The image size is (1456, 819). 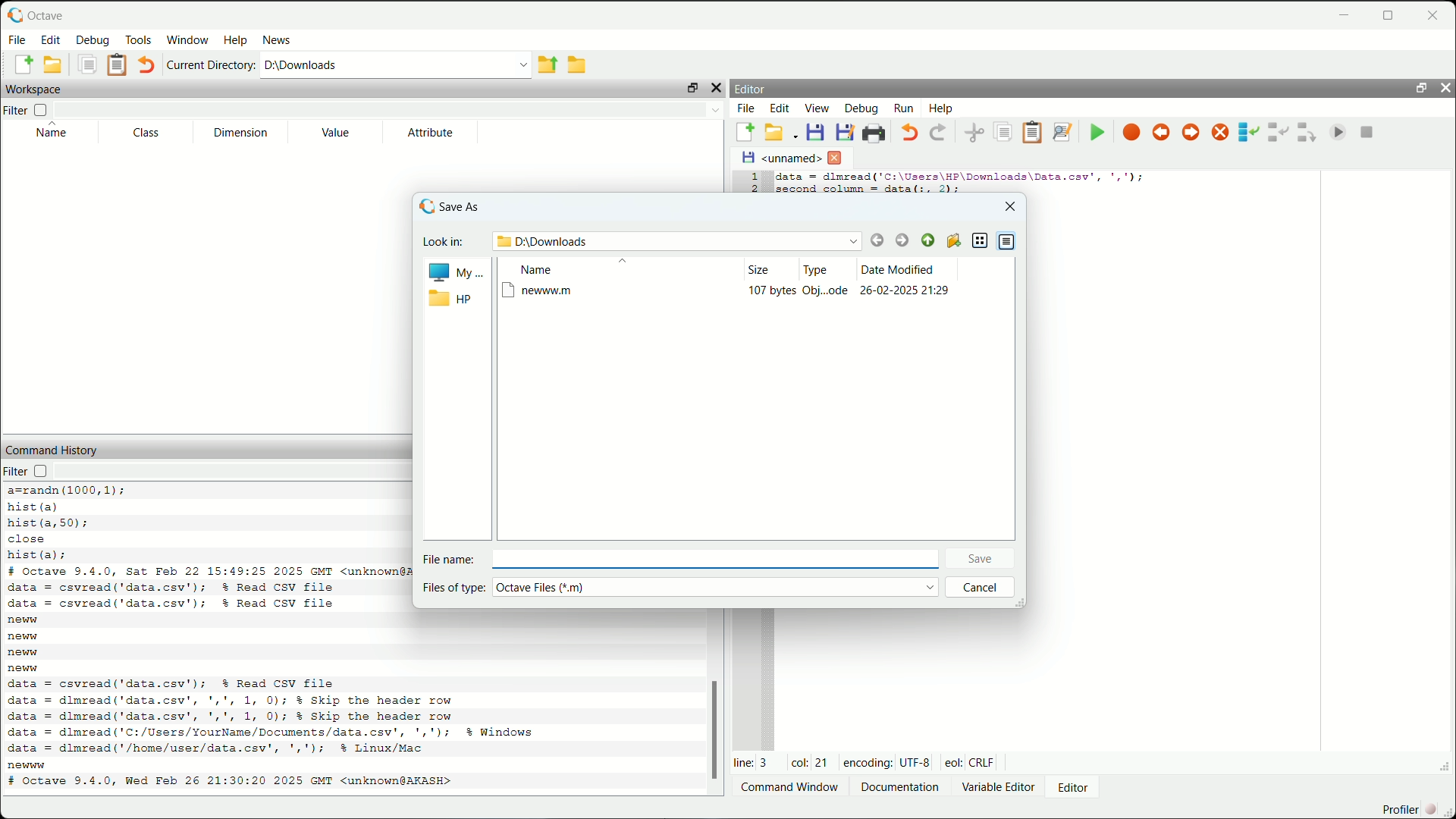 What do you see at coordinates (33, 91) in the screenshot?
I see `workspace` at bounding box center [33, 91].